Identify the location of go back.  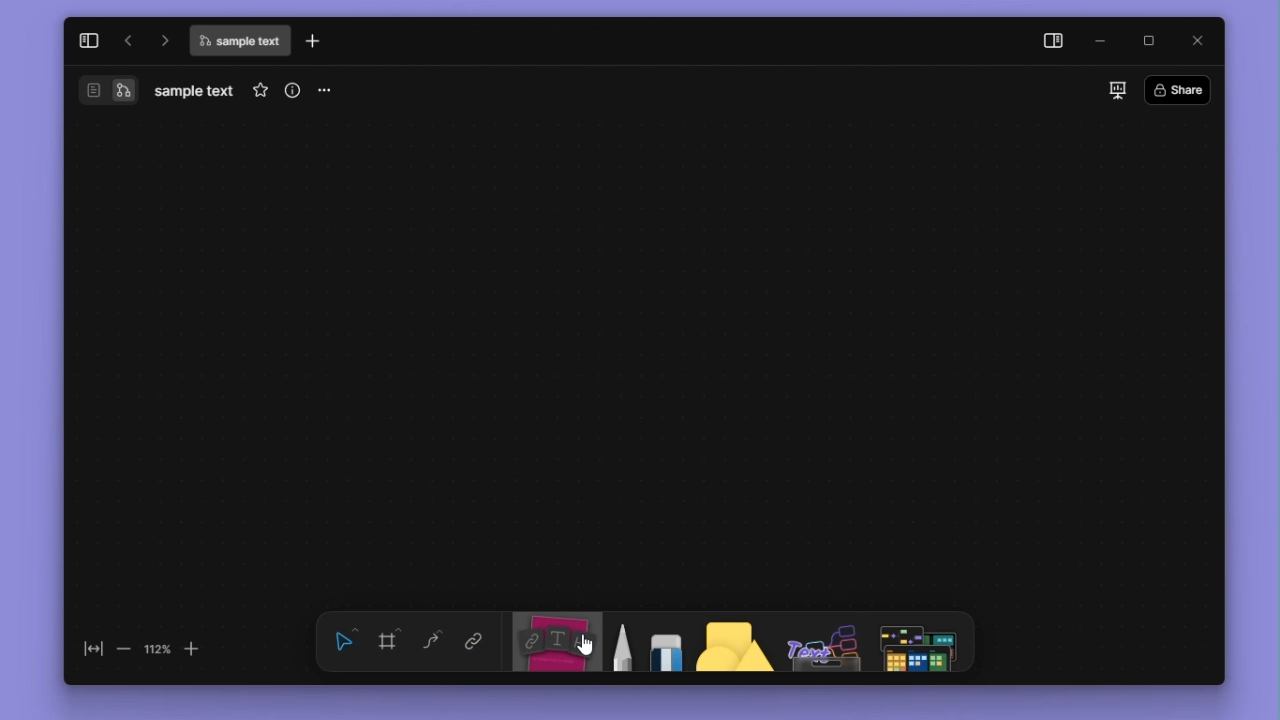
(128, 40).